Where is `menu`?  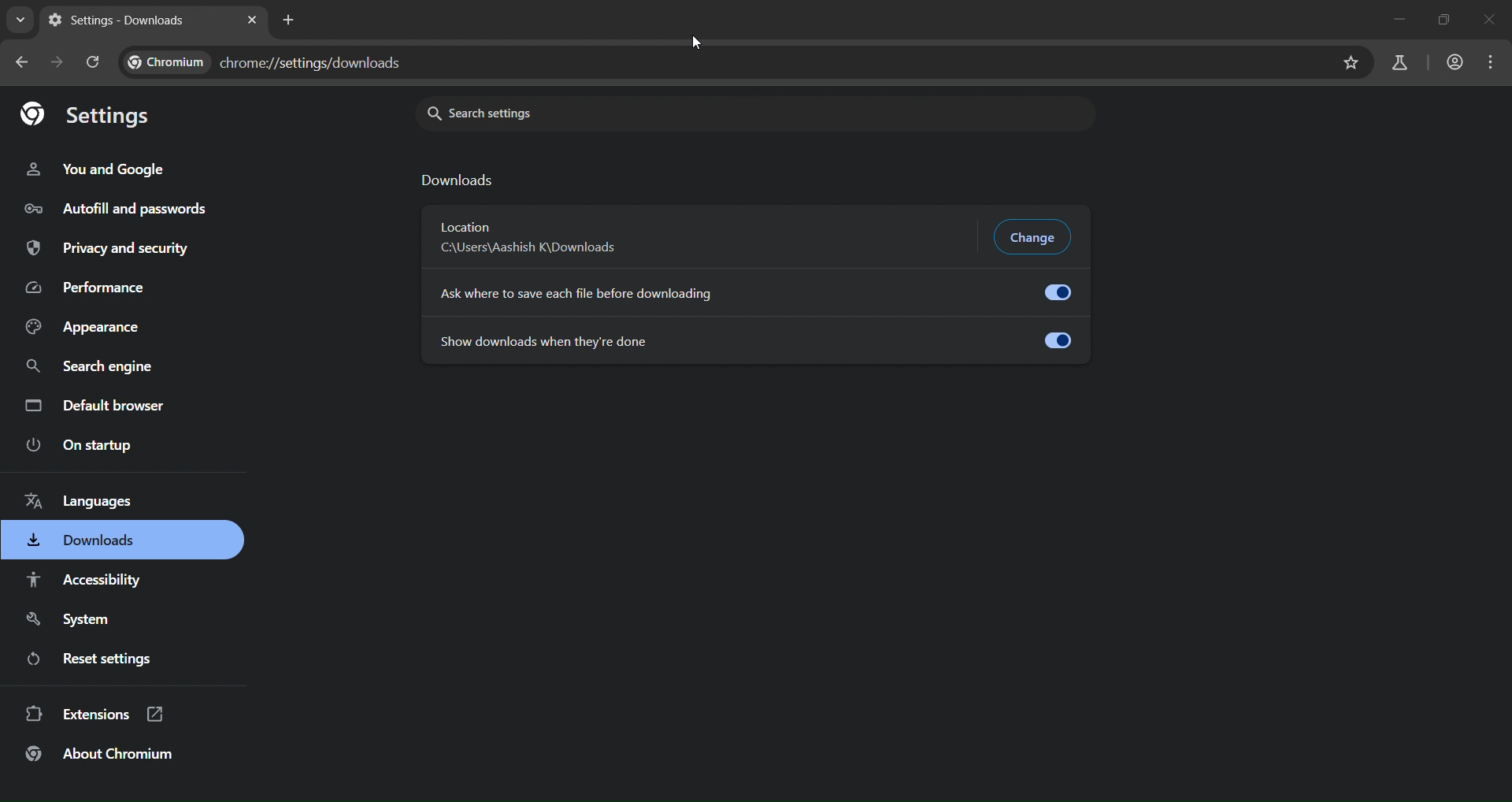
menu is located at coordinates (1495, 60).